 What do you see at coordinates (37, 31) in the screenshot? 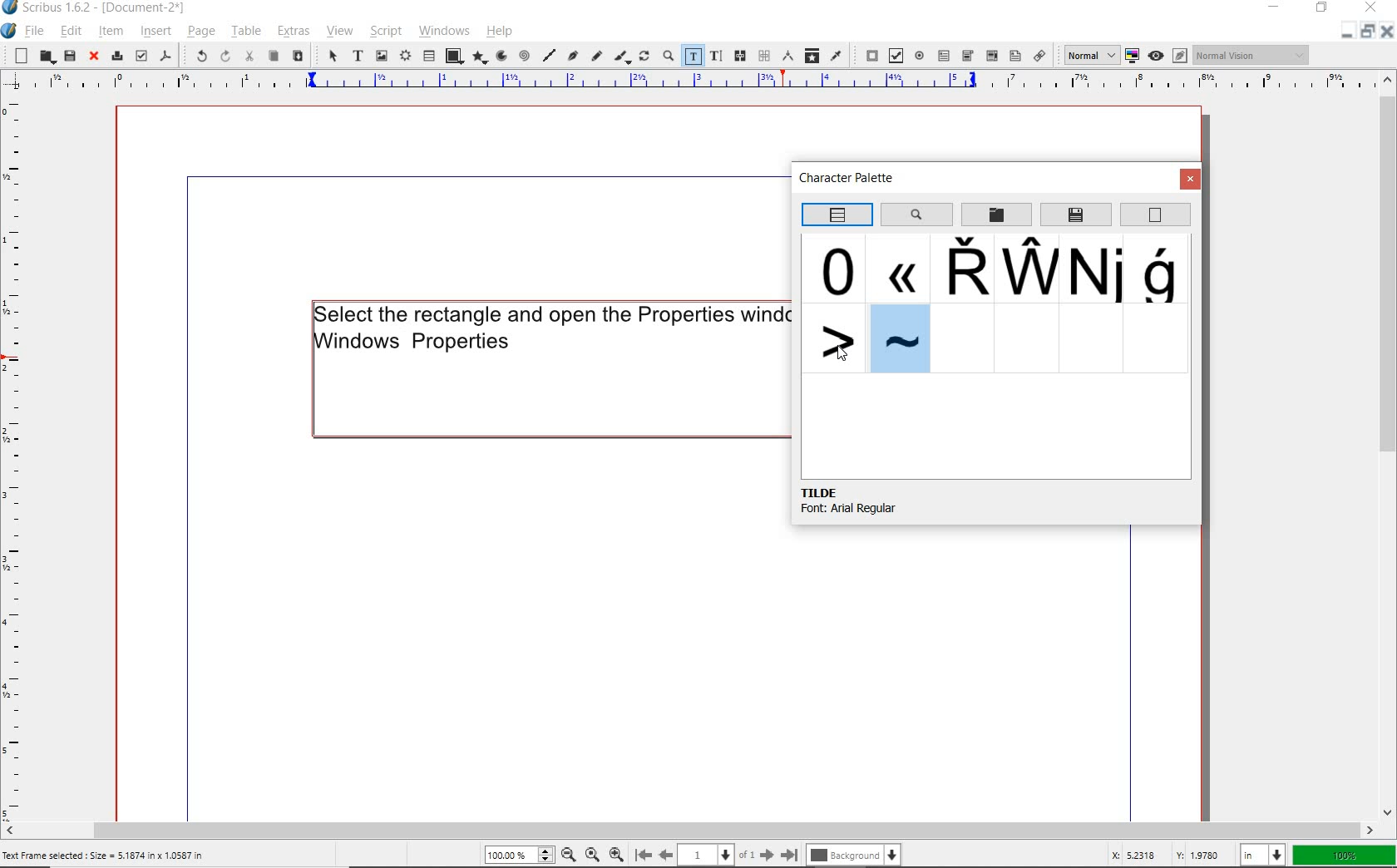
I see `file` at bounding box center [37, 31].